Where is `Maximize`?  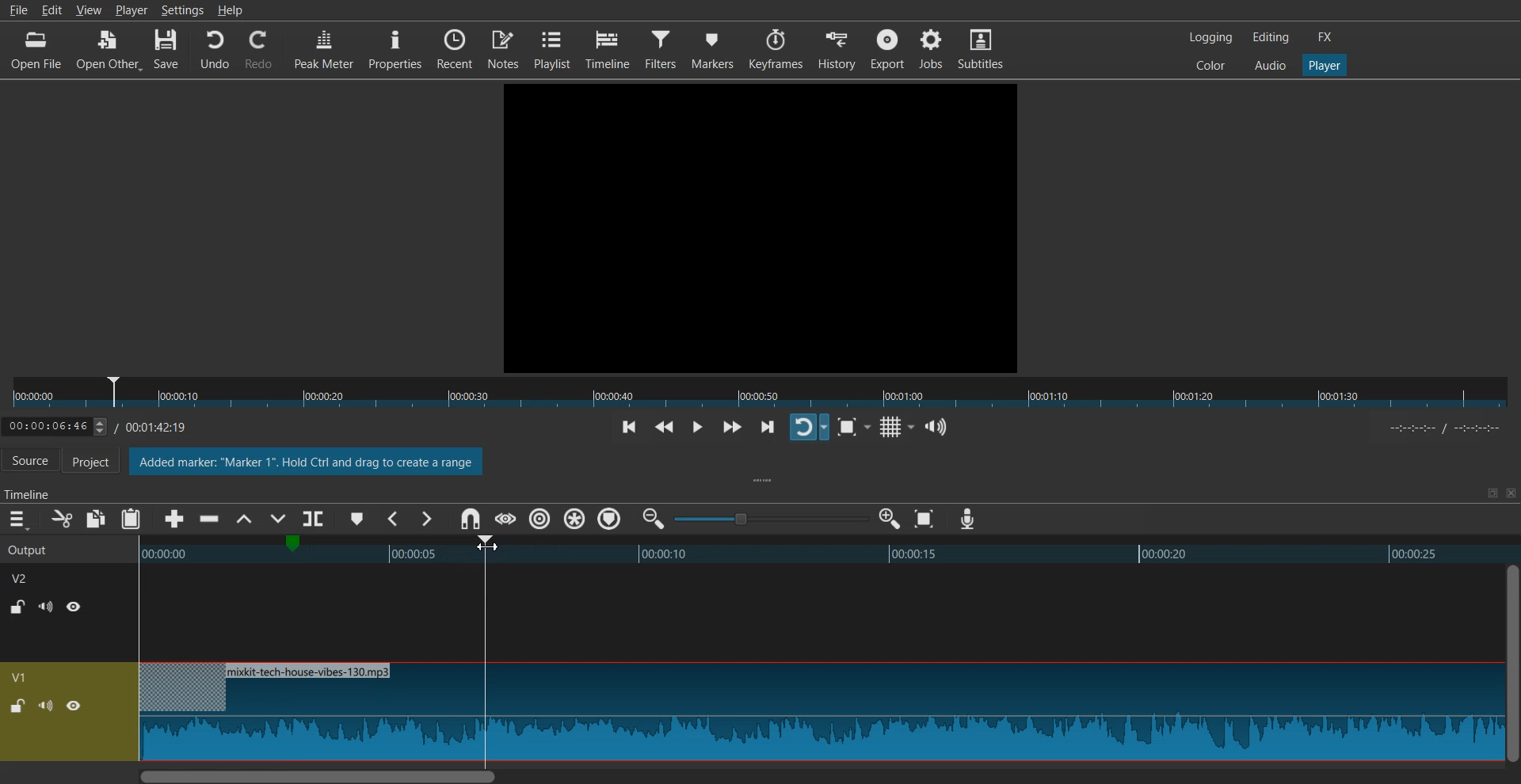 Maximize is located at coordinates (1492, 493).